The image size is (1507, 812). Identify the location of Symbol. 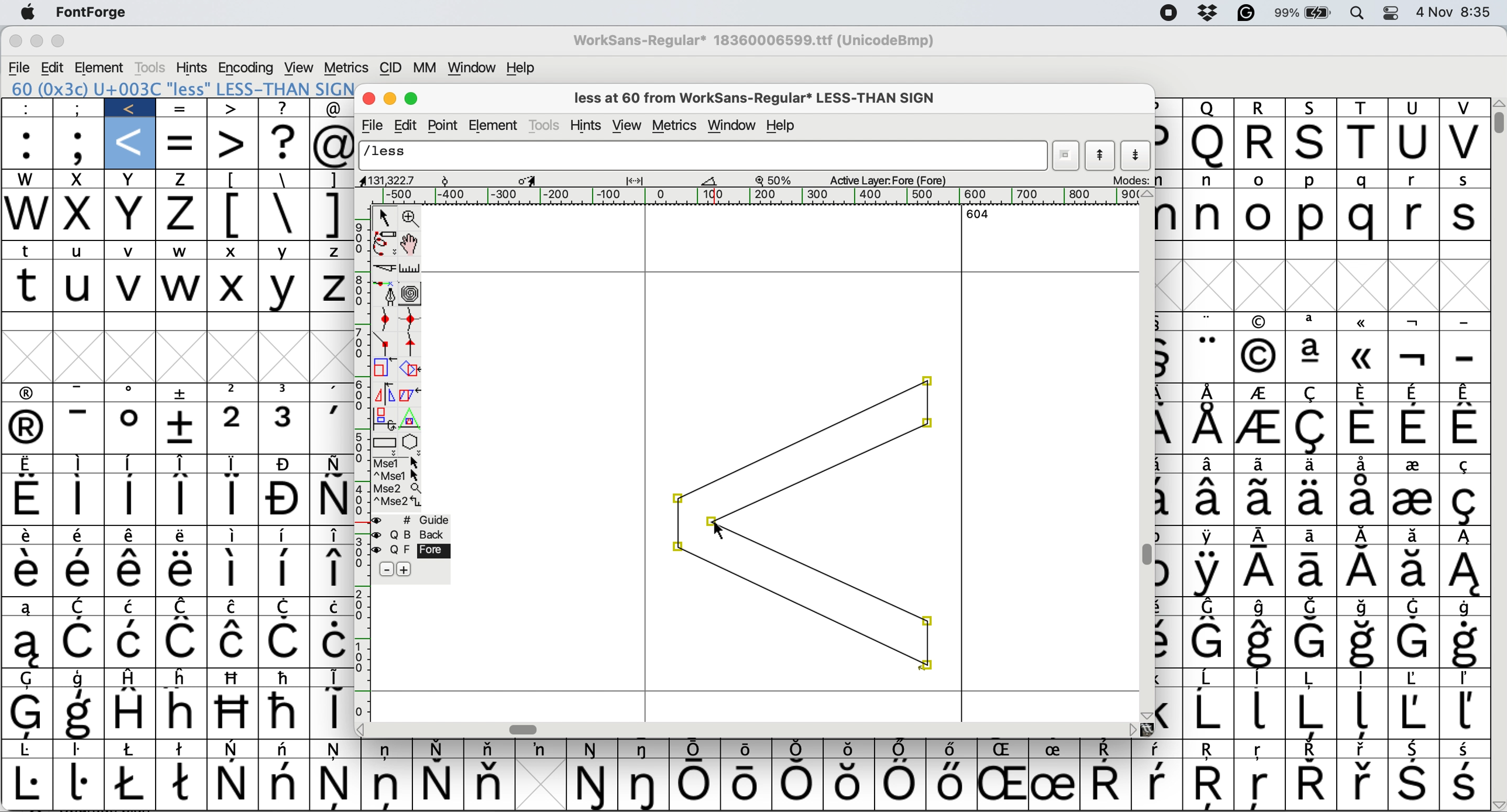
(78, 571).